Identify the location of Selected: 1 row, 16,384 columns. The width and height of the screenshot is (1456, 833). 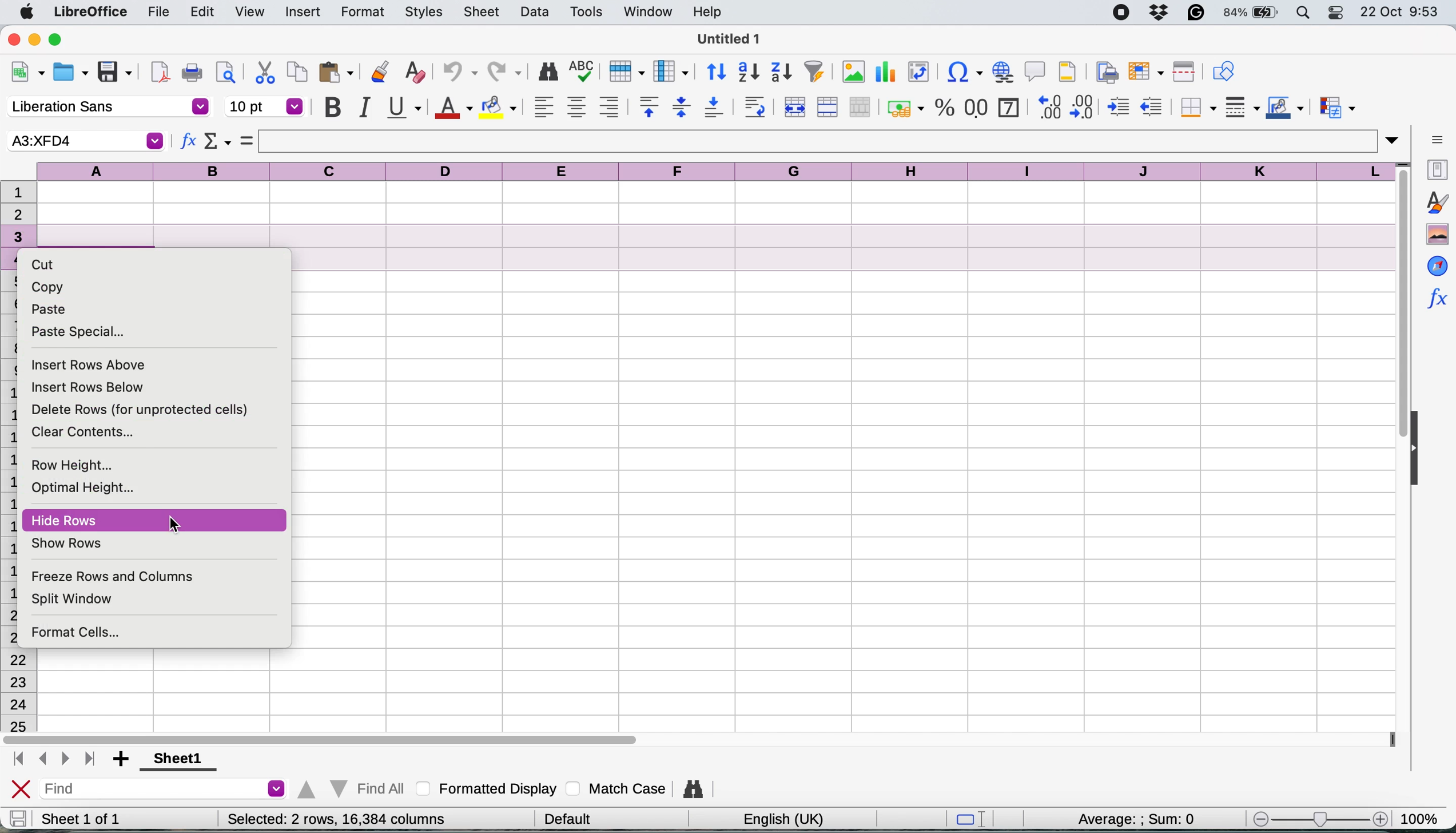
(332, 819).